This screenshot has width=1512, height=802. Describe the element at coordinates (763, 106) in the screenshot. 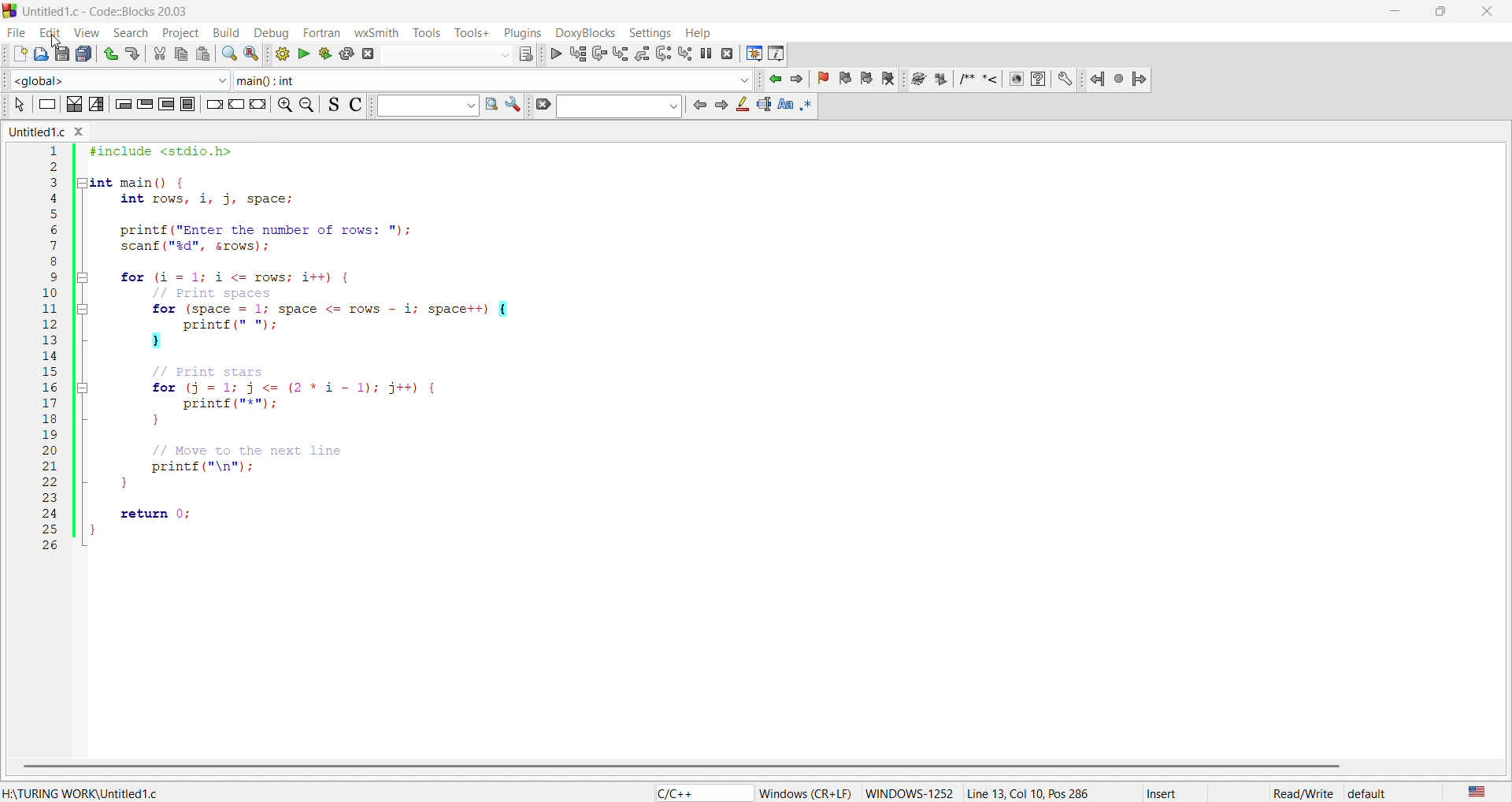

I see `selected text` at that location.